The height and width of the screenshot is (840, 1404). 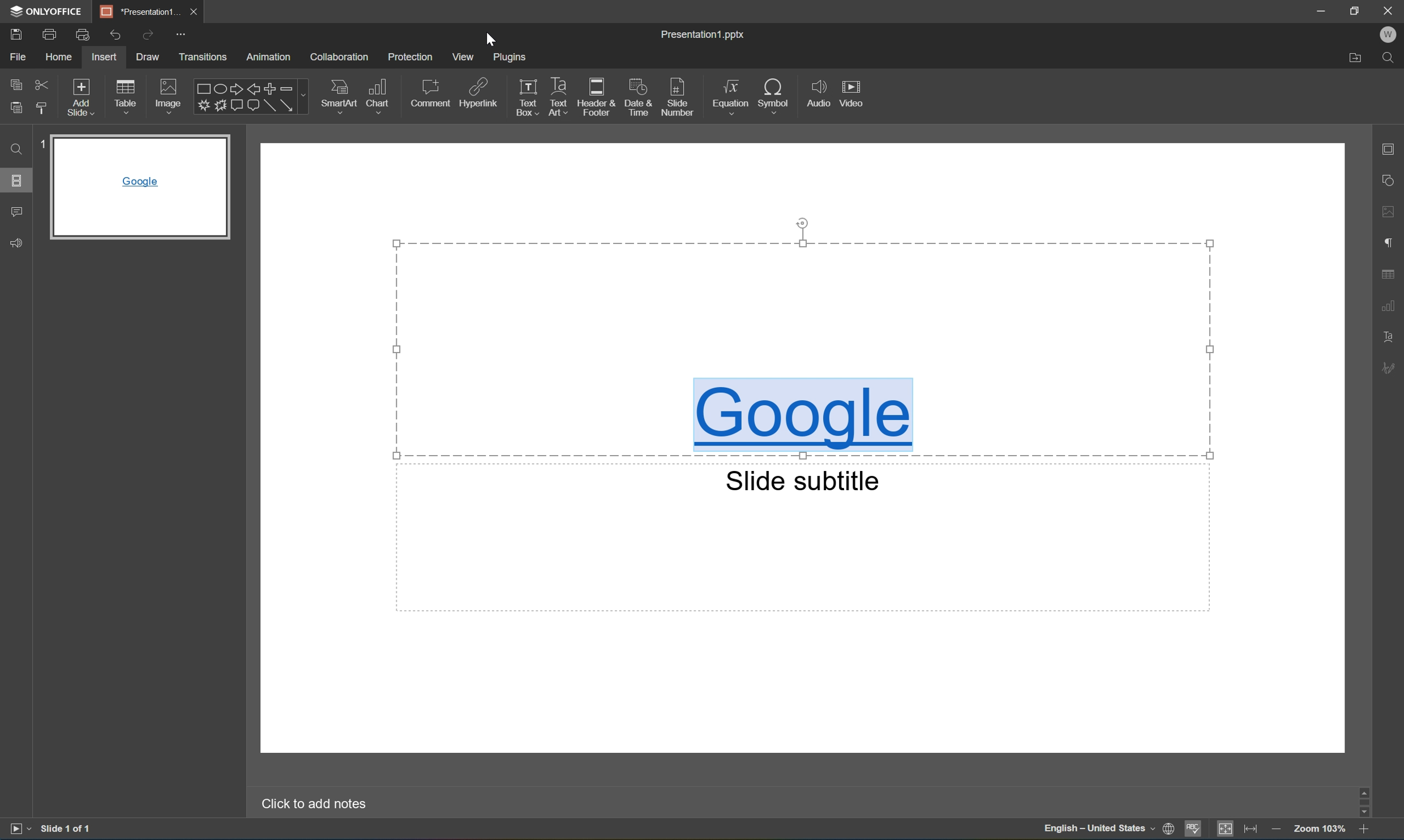 What do you see at coordinates (203, 57) in the screenshot?
I see `Transitions` at bounding box center [203, 57].